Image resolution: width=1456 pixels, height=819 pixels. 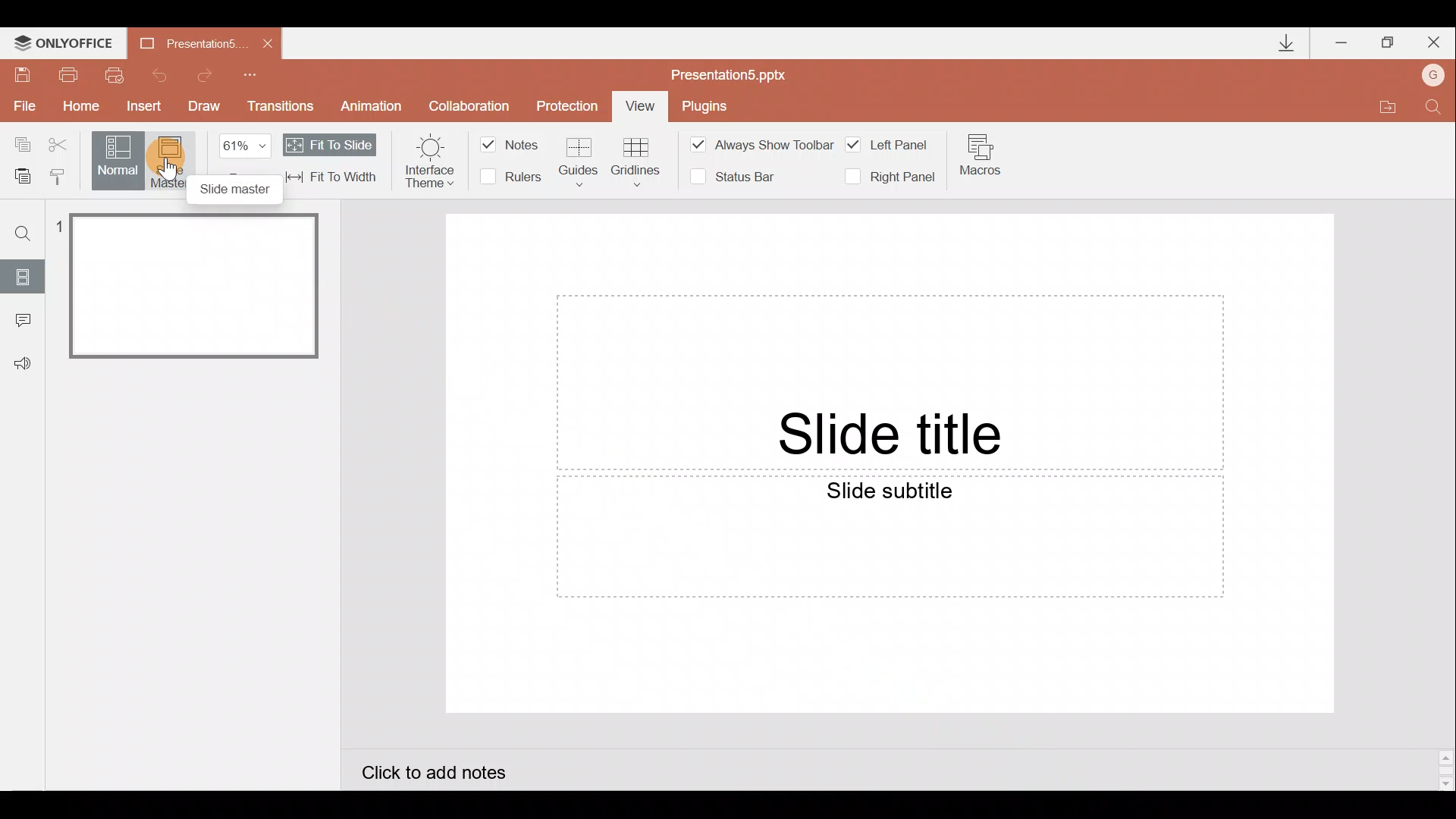 I want to click on Comments, so click(x=22, y=322).